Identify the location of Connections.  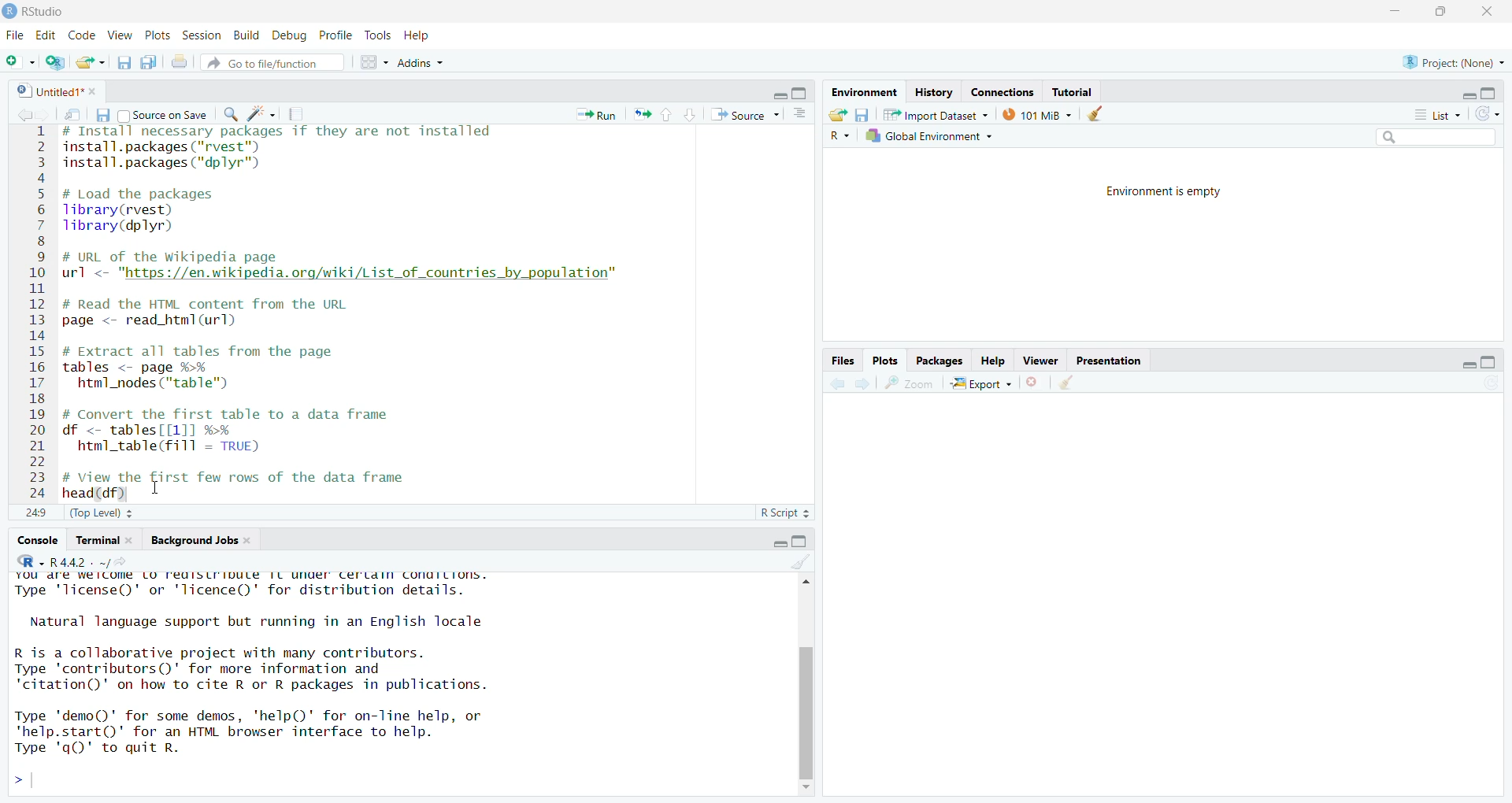
(1002, 93).